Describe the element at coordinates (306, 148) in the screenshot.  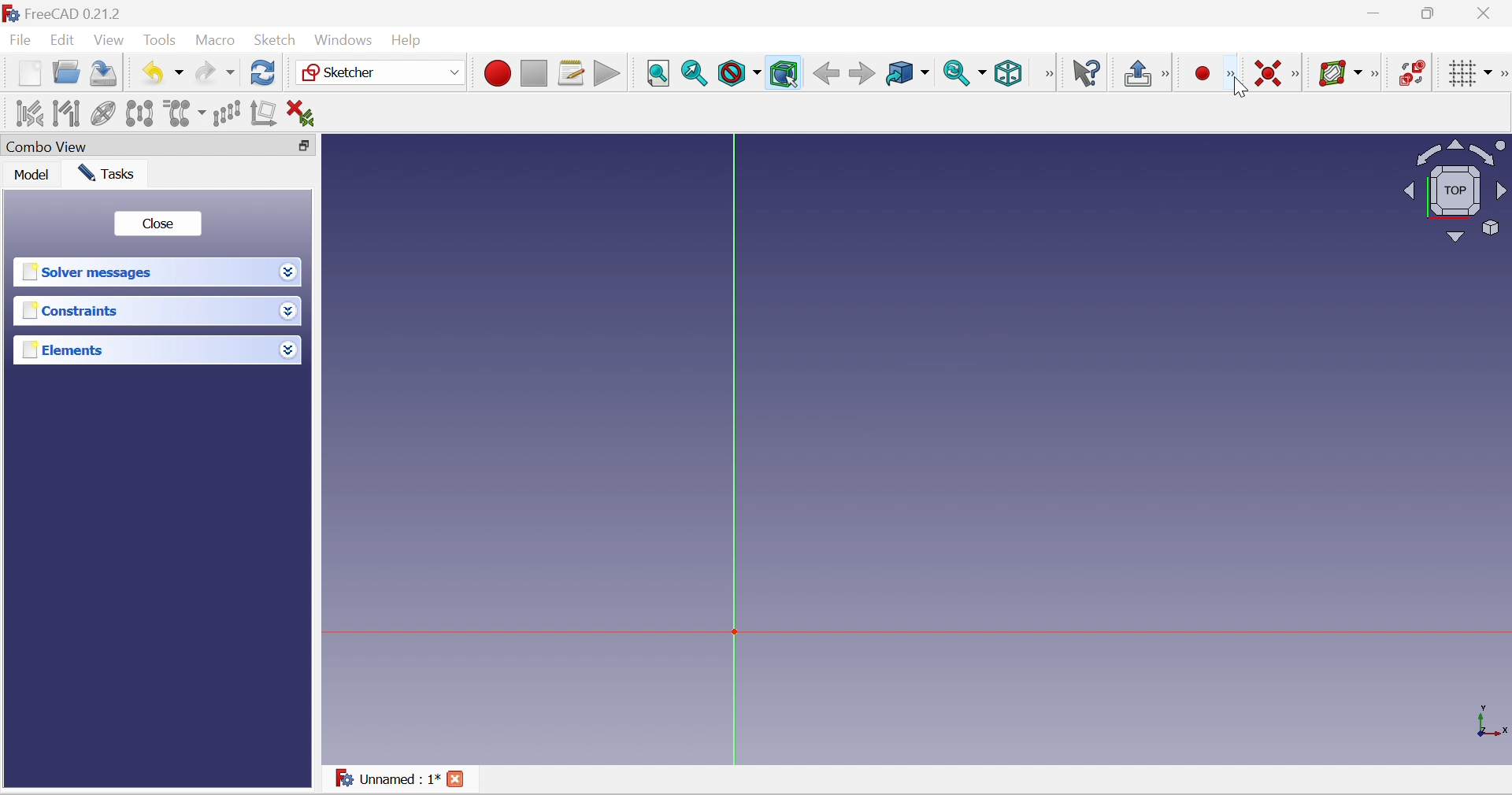
I see `Restore down` at that location.